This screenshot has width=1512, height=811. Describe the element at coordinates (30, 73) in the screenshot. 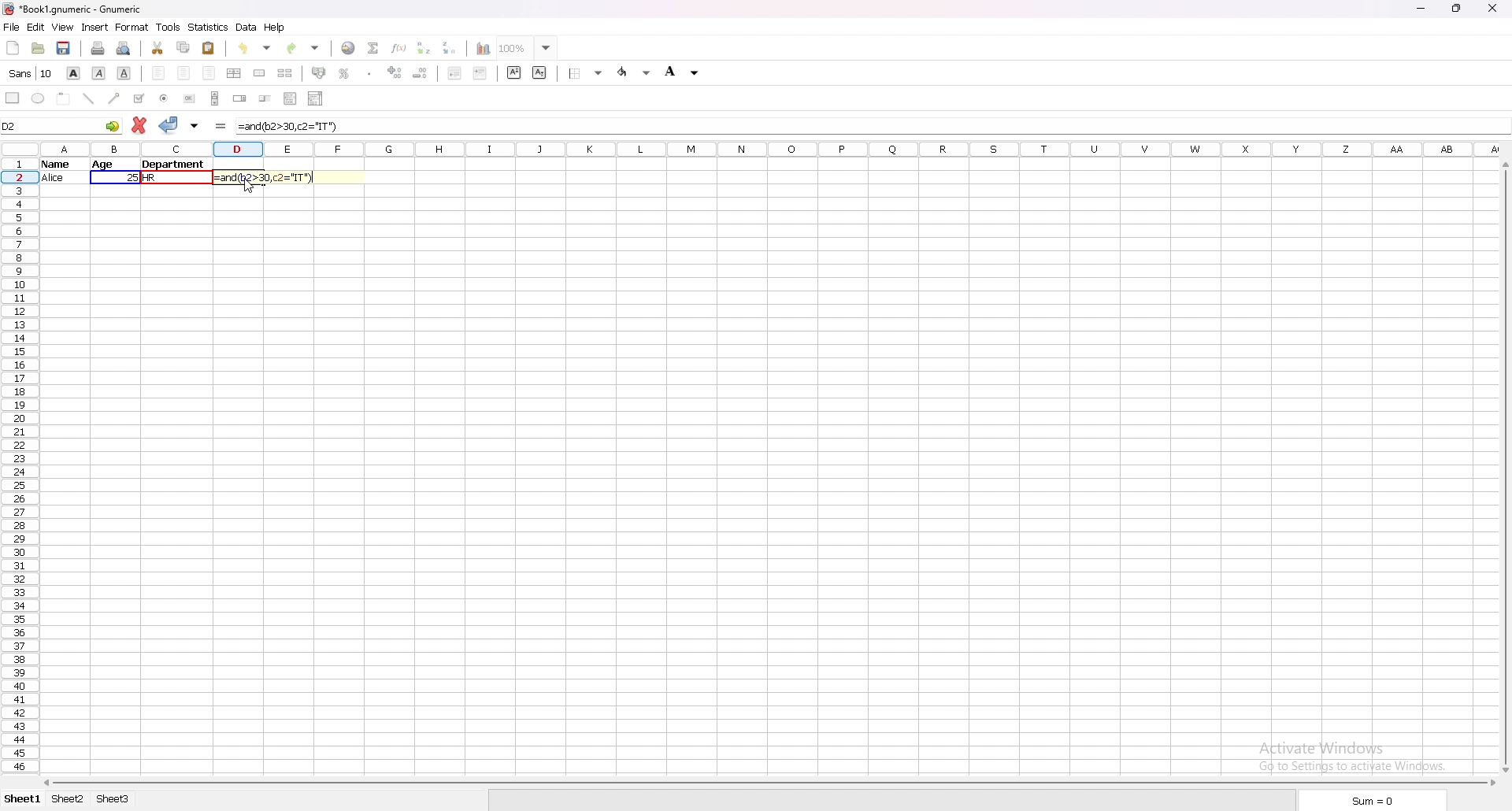

I see `font` at that location.